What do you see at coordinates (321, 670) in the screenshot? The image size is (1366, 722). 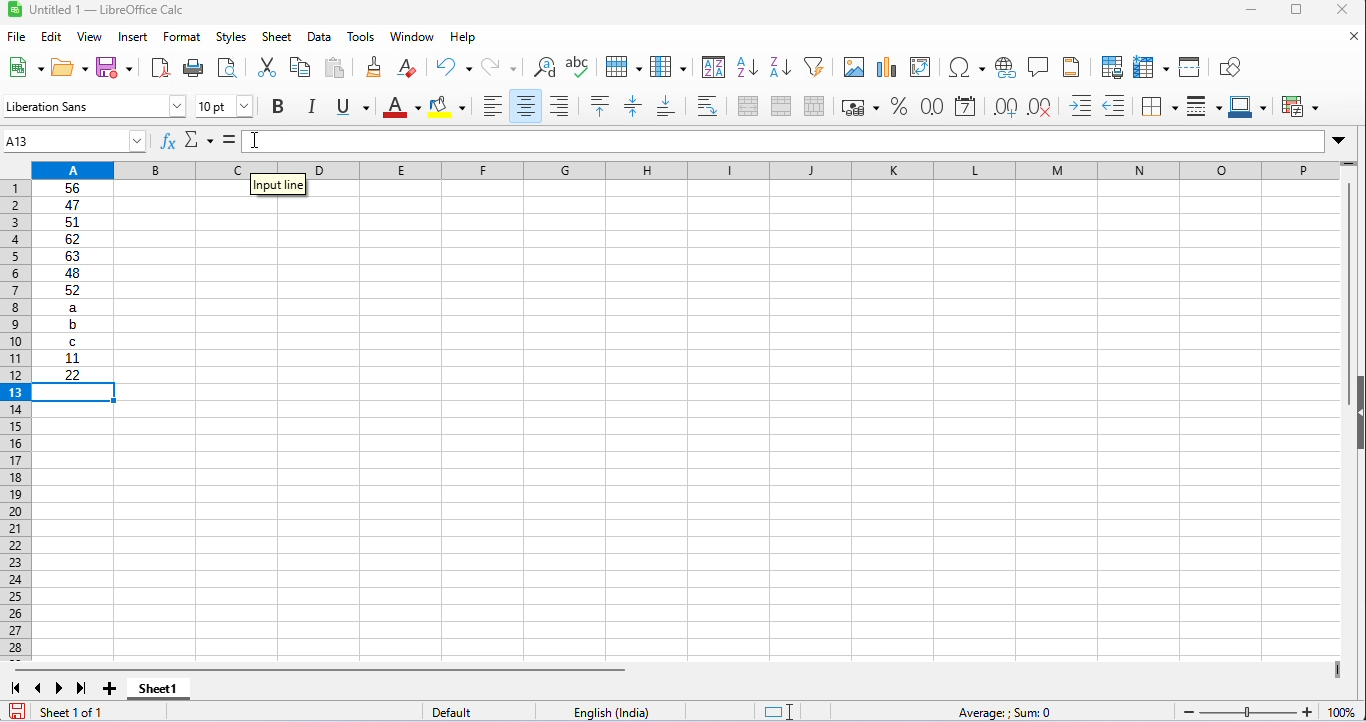 I see `horizontal scroll bar` at bounding box center [321, 670].